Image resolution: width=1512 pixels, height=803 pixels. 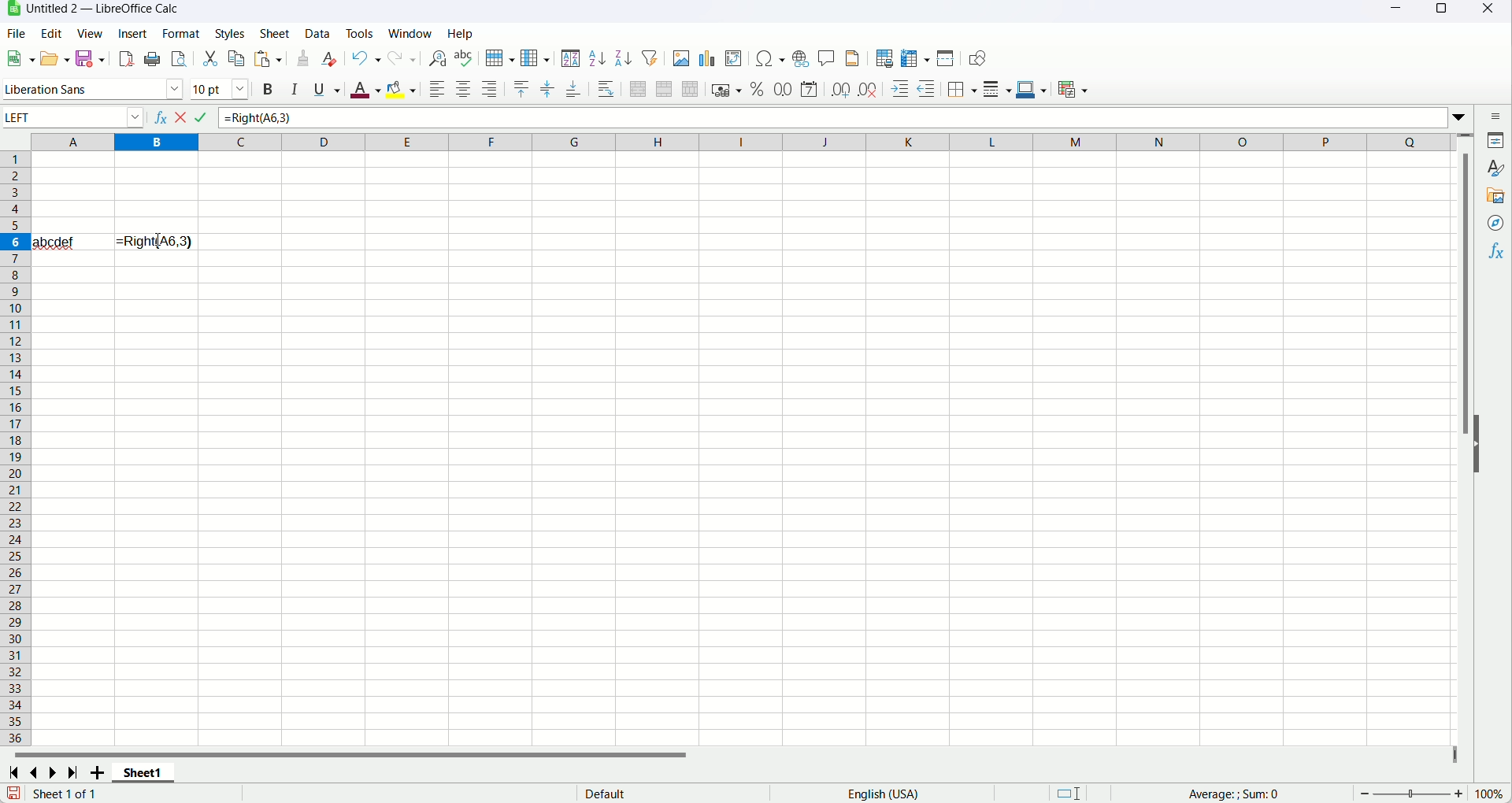 I want to click on open, so click(x=57, y=57).